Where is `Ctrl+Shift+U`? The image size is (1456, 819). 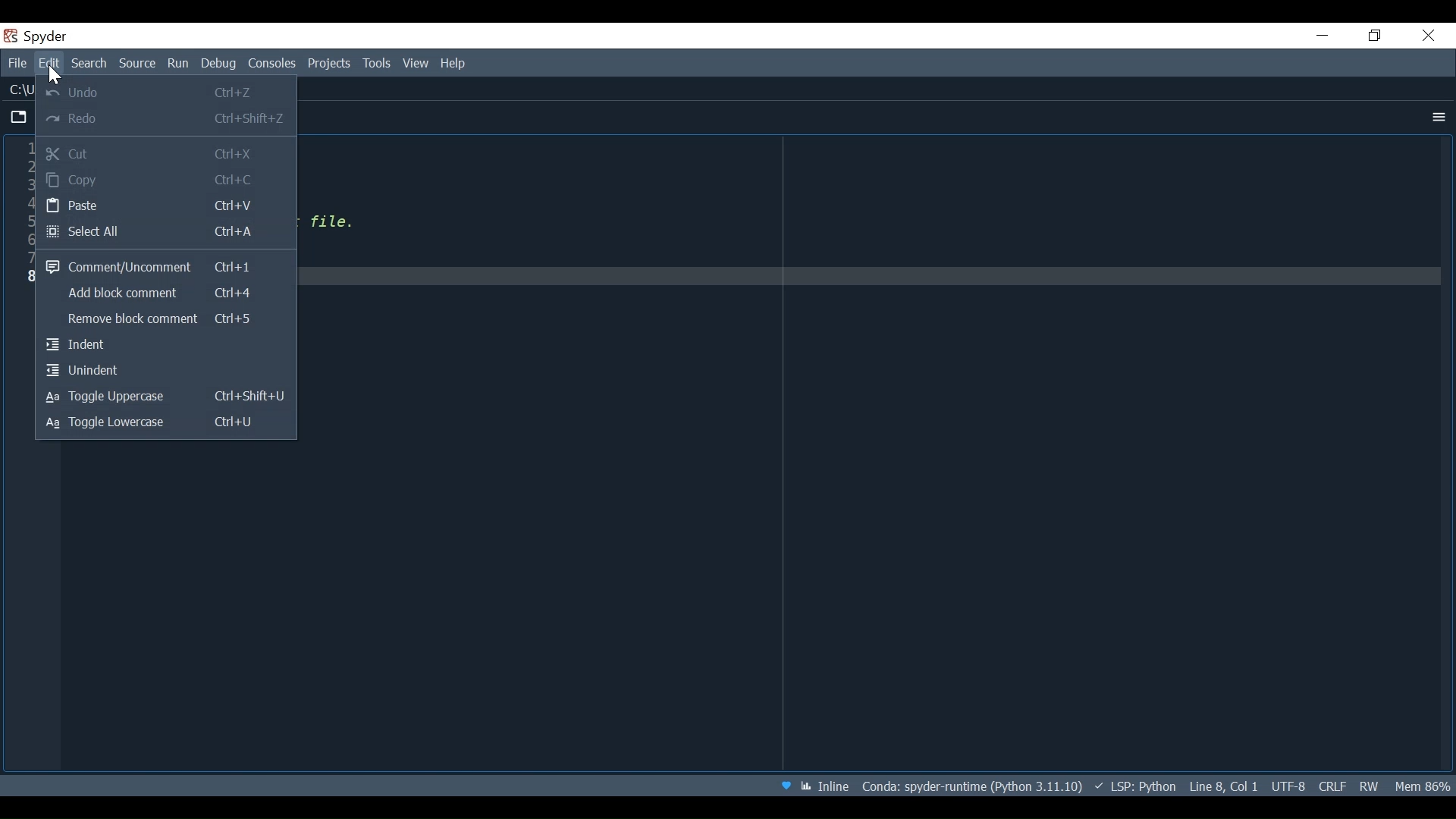
Ctrl+Shift+U is located at coordinates (253, 398).